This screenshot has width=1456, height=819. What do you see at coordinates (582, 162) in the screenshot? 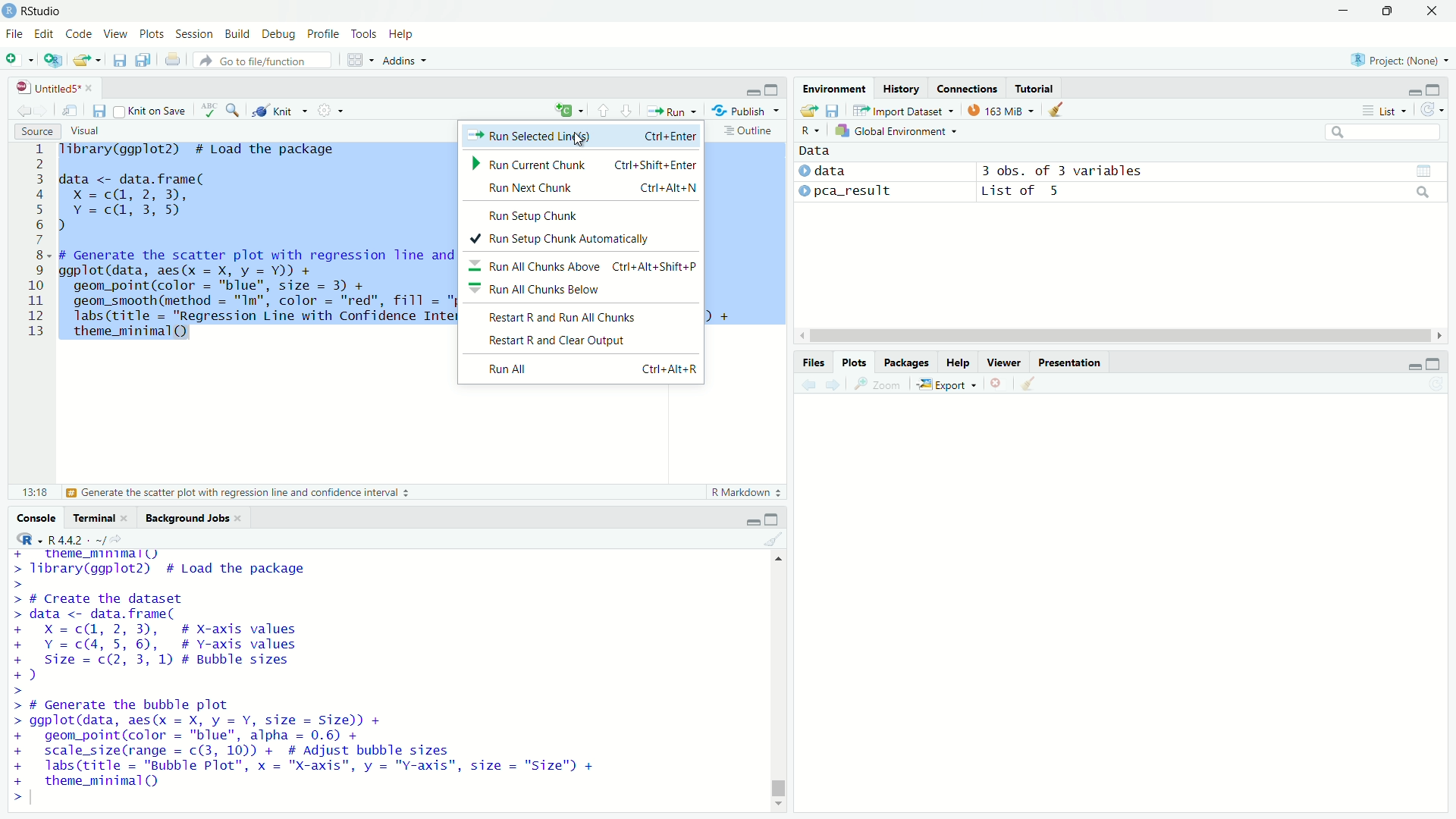
I see `Run Current Chunk  Ctrl+Shift+Enter` at bounding box center [582, 162].